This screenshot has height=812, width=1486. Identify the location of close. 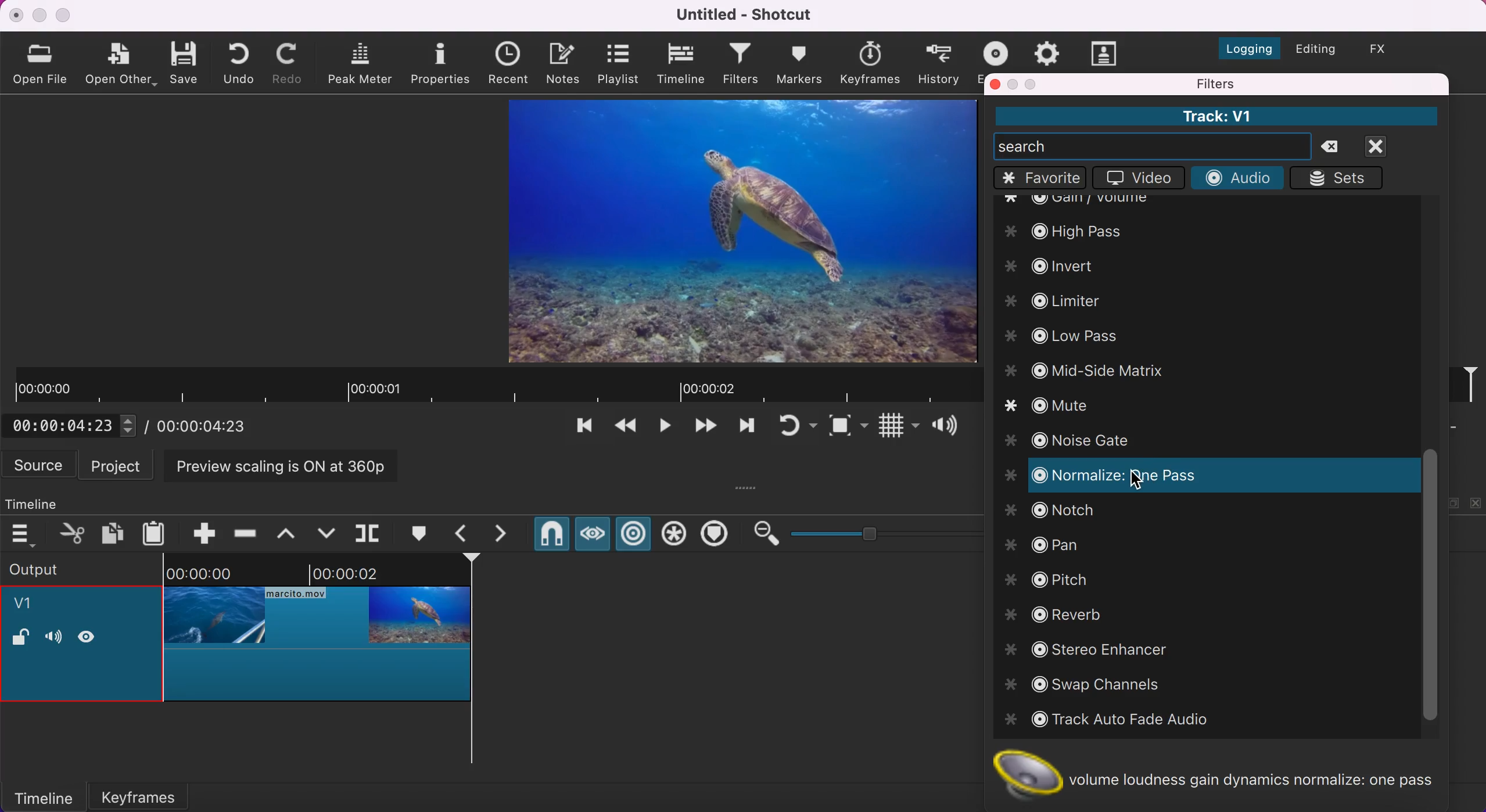
(1390, 146).